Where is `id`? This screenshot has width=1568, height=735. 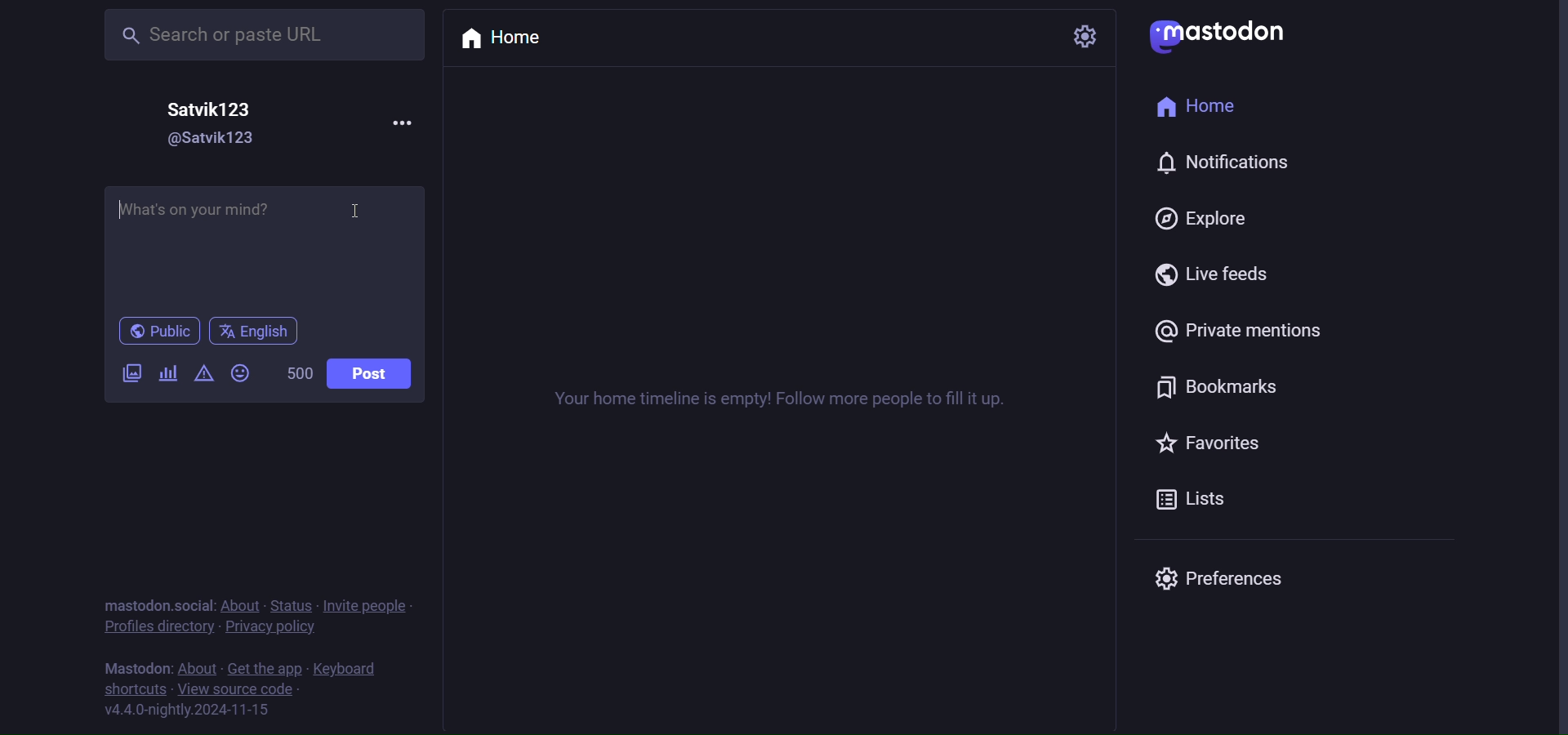 id is located at coordinates (198, 140).